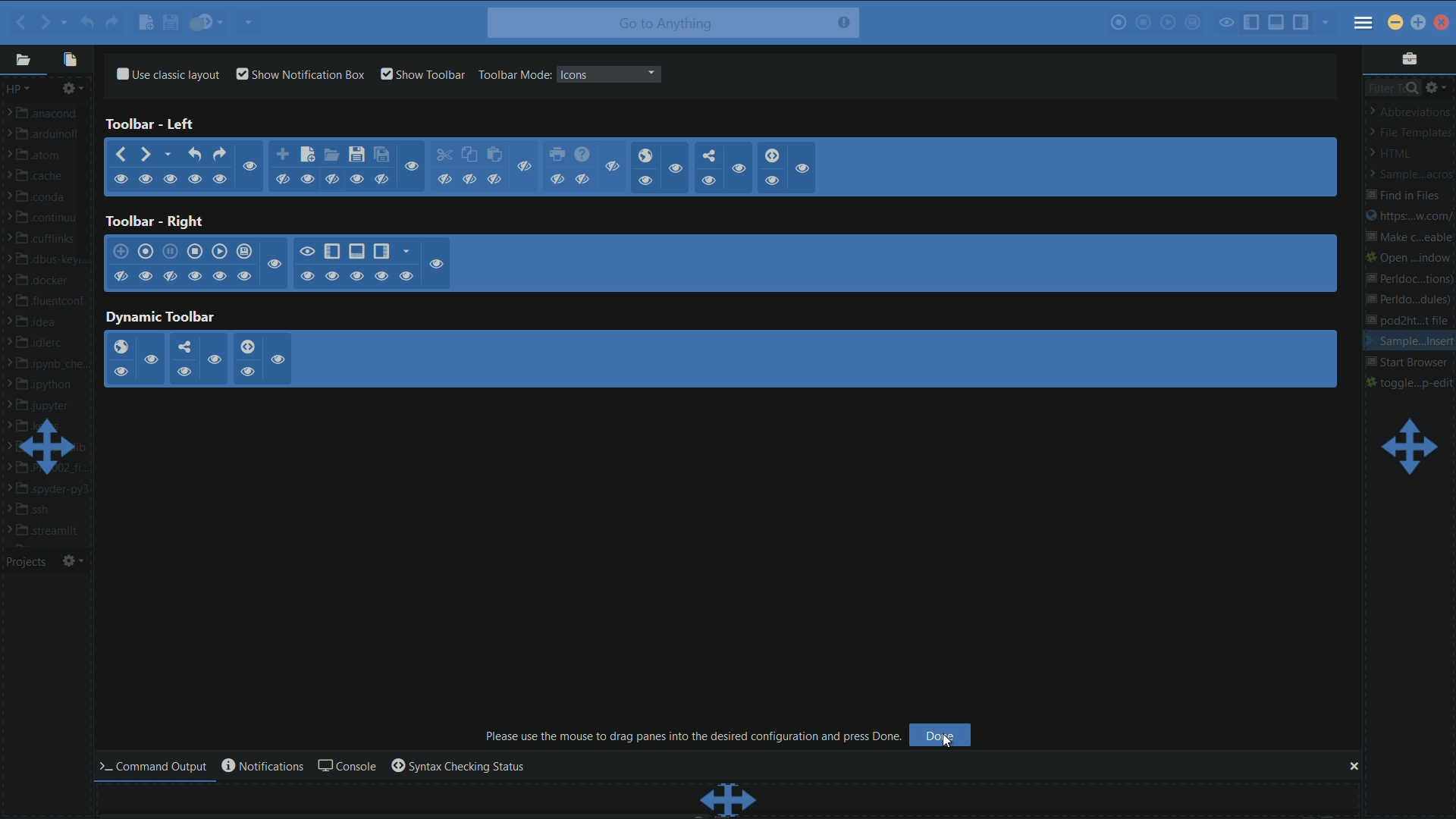 This screenshot has width=1456, height=819. I want to click on hide/show, so click(278, 359).